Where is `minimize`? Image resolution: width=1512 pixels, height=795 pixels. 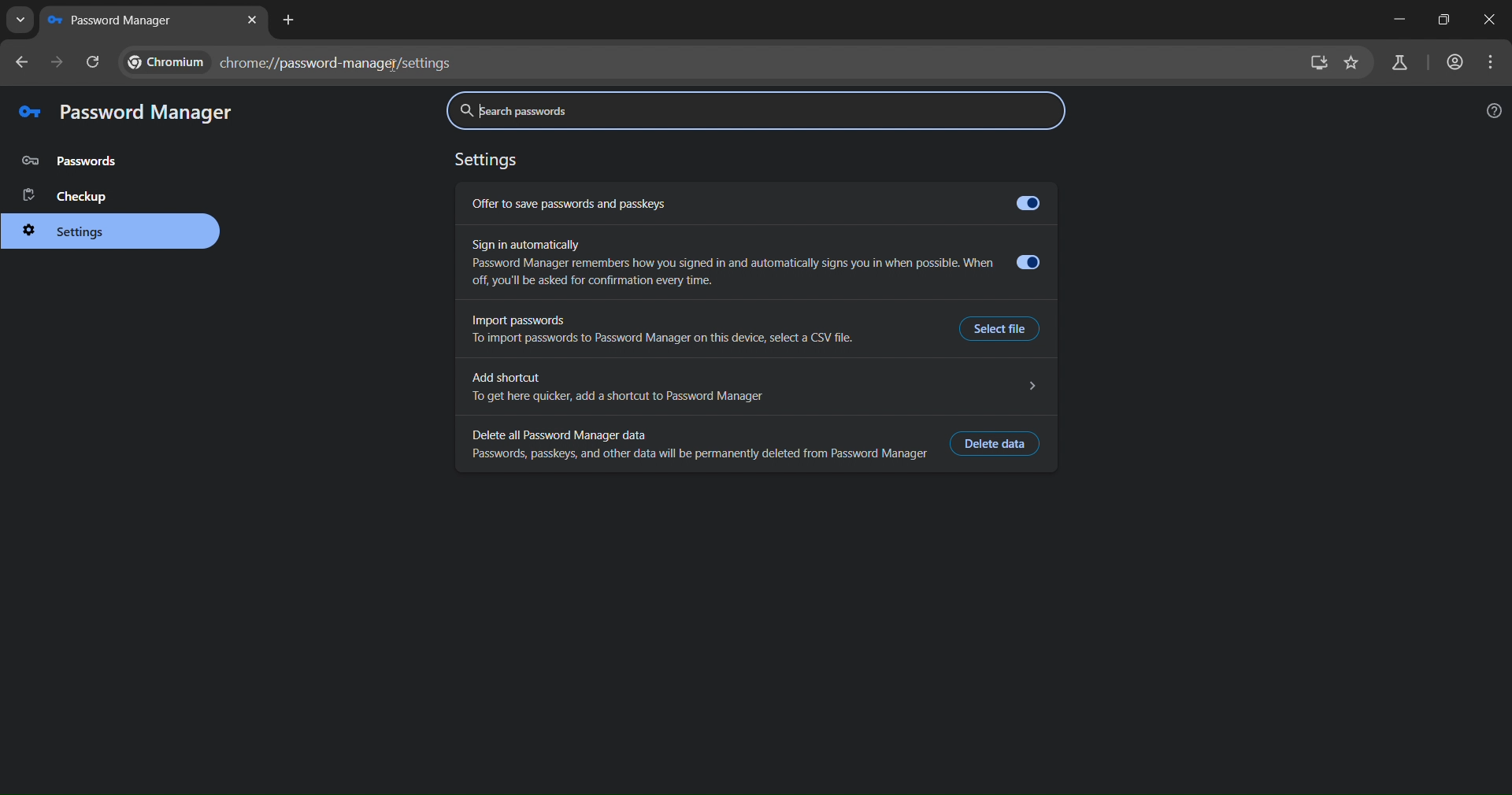
minimize is located at coordinates (1392, 20).